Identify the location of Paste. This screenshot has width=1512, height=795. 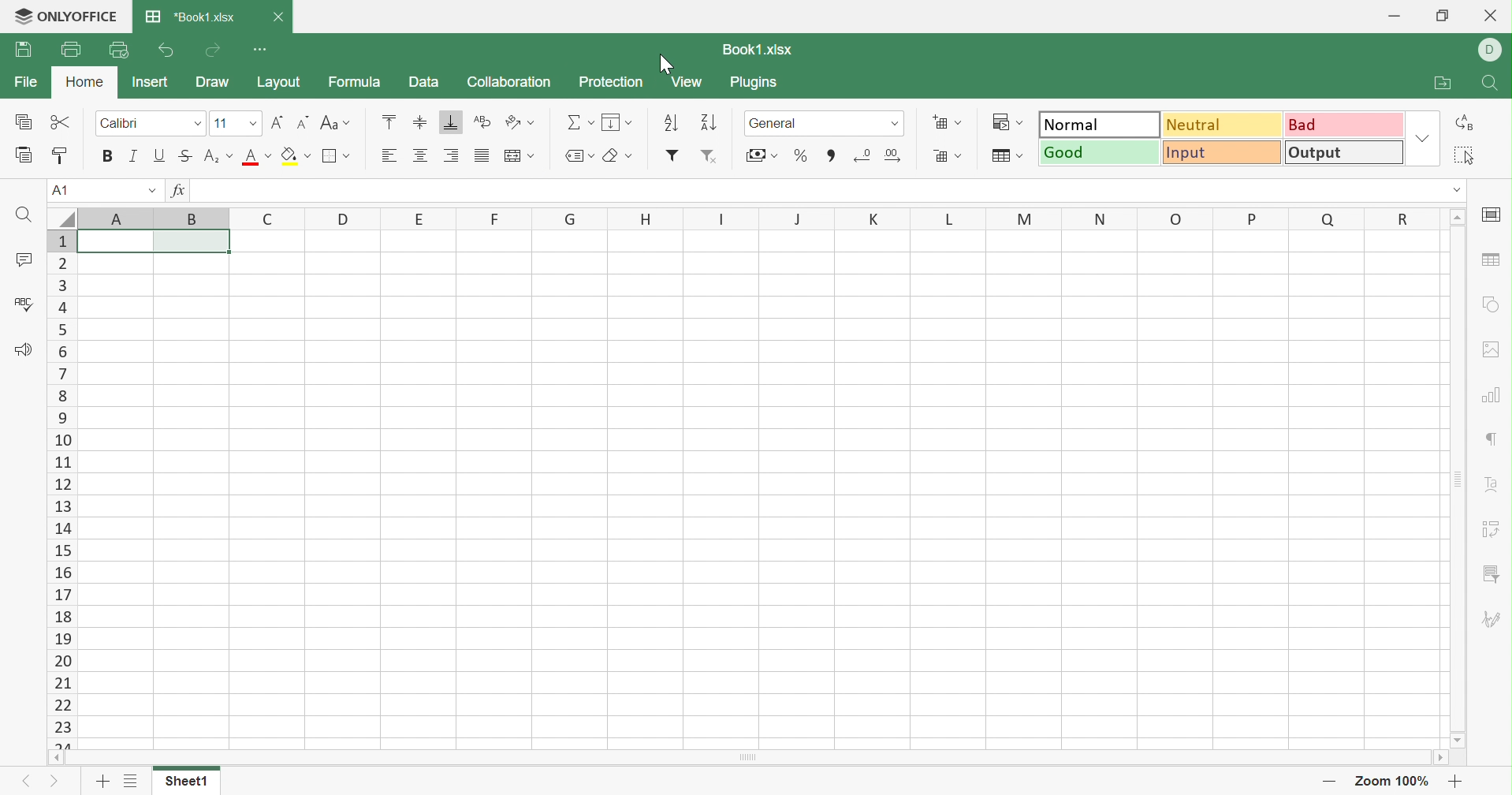
(25, 155).